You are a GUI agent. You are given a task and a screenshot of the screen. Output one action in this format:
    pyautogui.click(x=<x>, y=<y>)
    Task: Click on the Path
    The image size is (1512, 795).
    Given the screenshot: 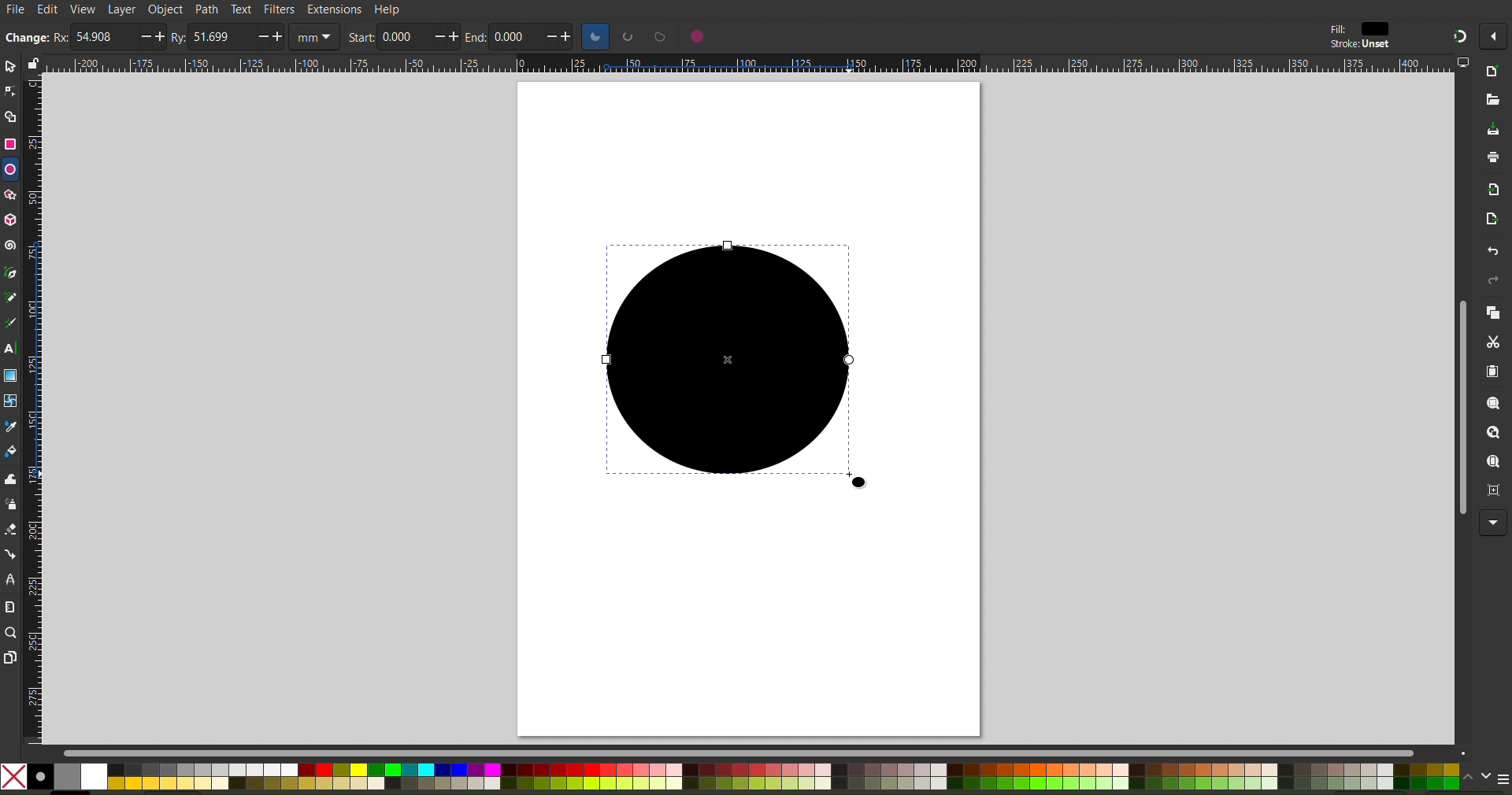 What is the action you would take?
    pyautogui.click(x=206, y=9)
    